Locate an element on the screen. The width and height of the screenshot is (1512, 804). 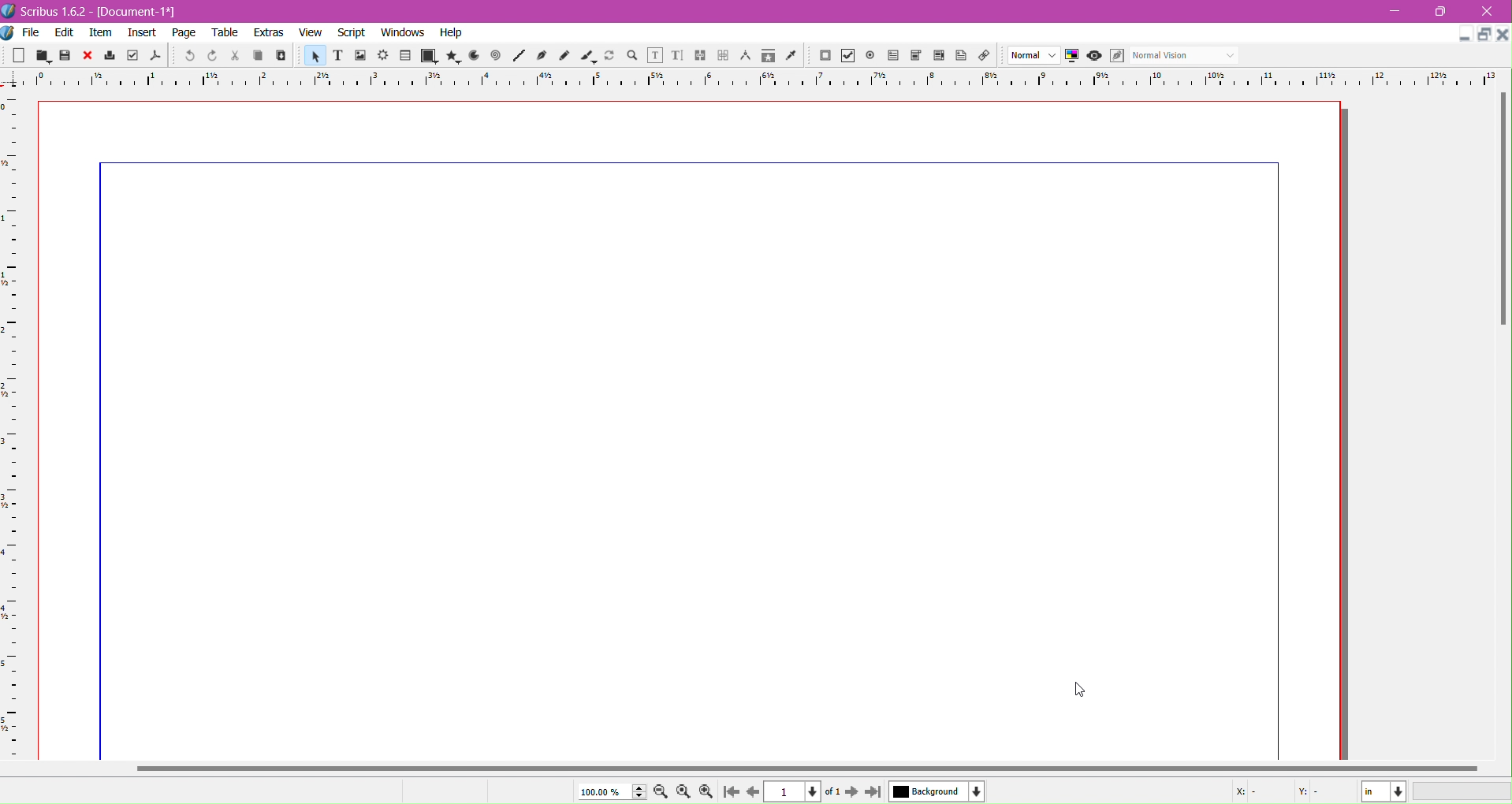
page menu is located at coordinates (184, 34).